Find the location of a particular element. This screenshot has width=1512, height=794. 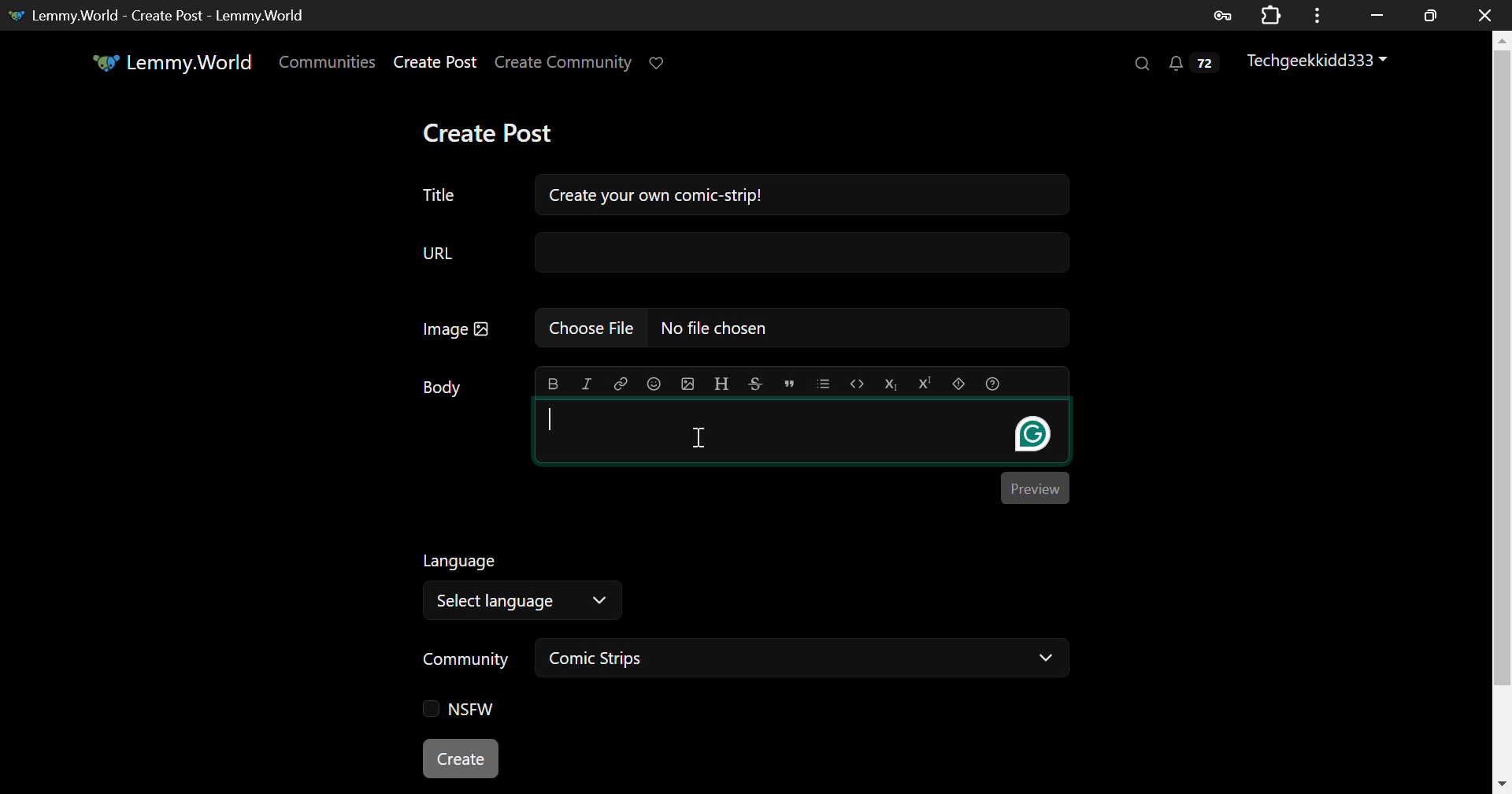

Bold is located at coordinates (552, 385).